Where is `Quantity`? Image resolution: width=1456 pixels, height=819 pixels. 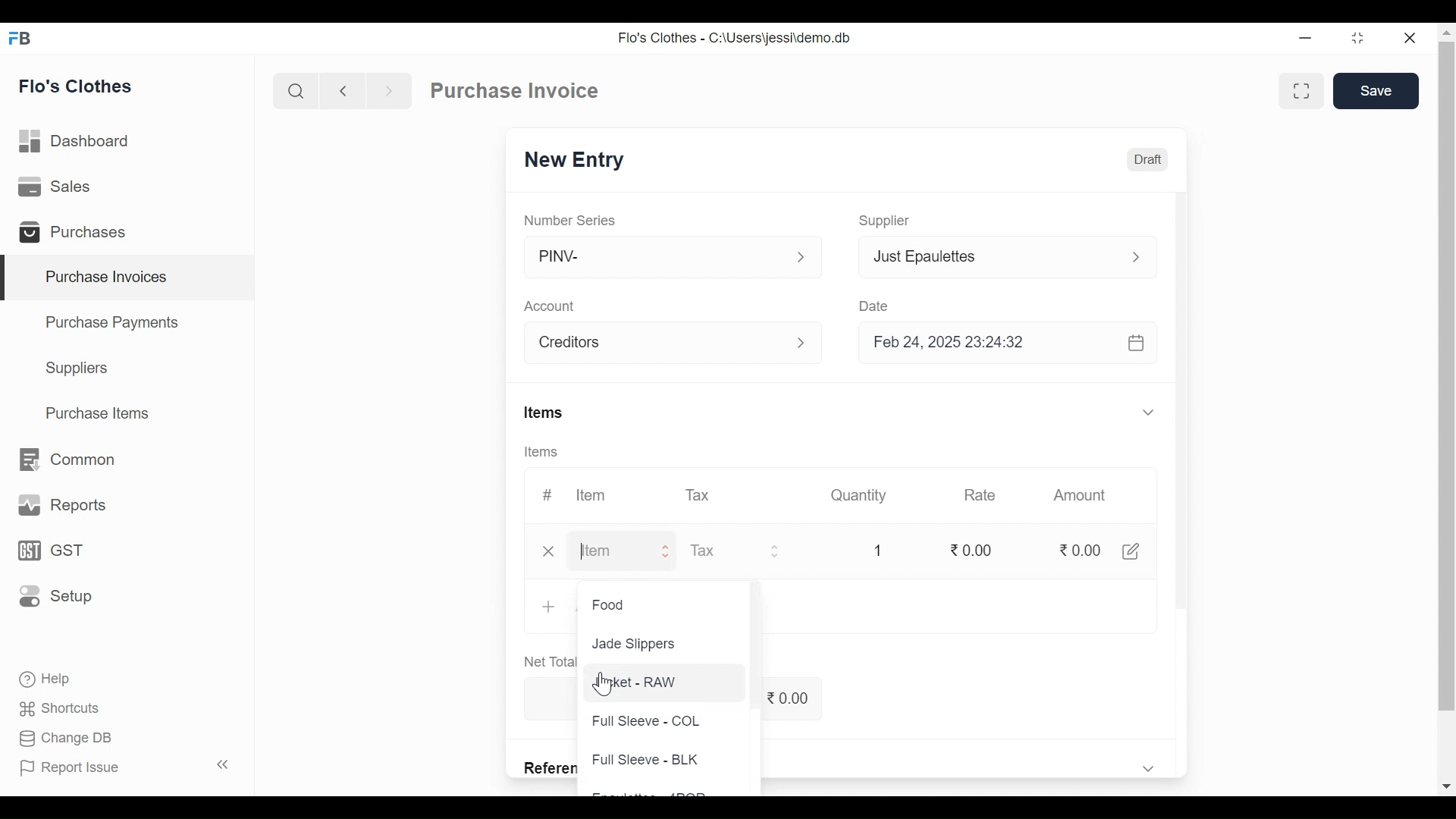
Quantity is located at coordinates (860, 497).